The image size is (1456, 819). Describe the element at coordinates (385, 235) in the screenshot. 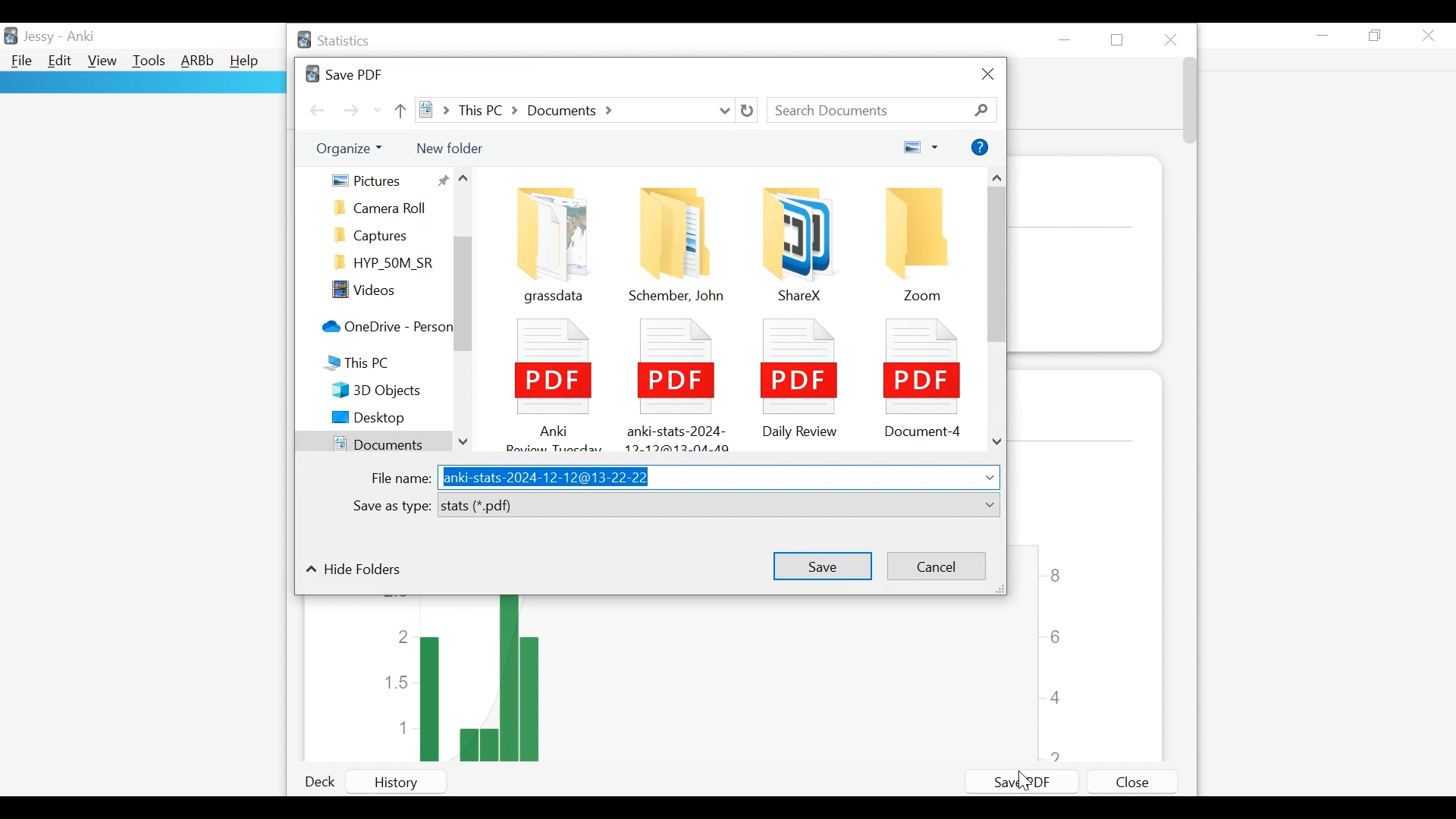

I see `Folder` at that location.